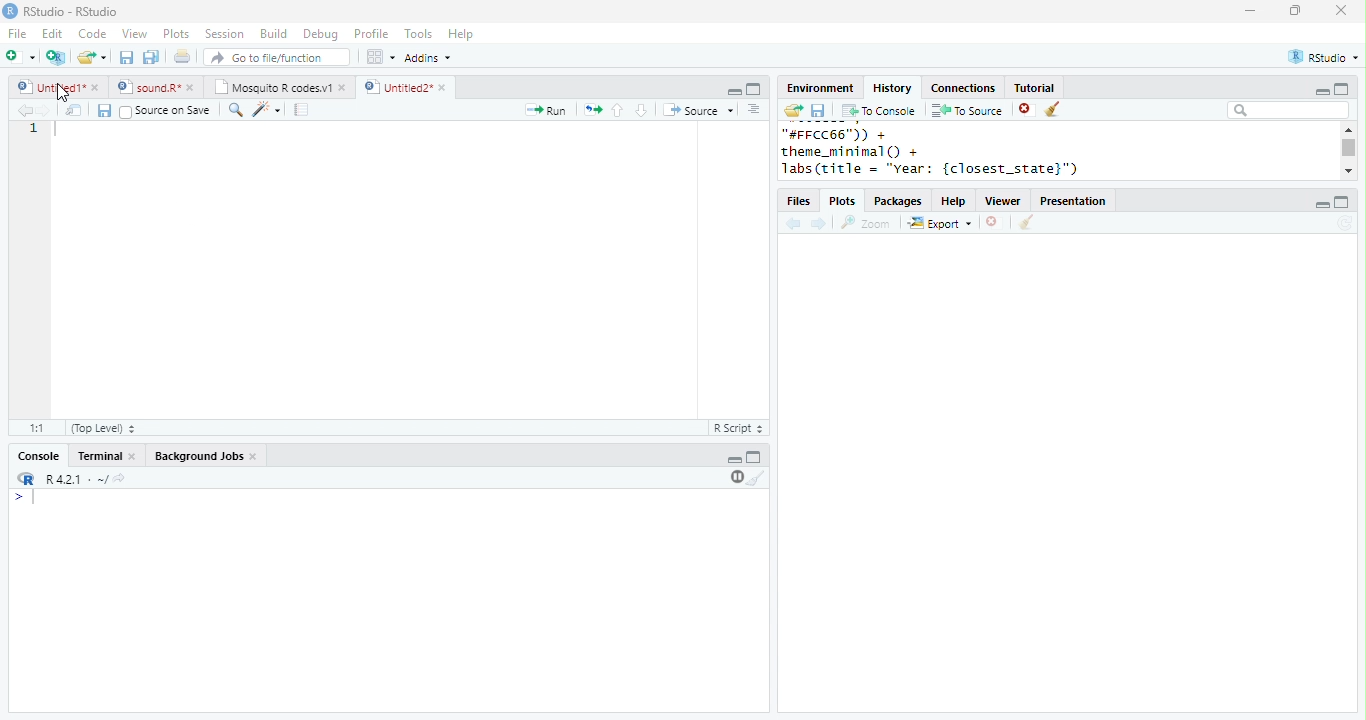  Describe the element at coordinates (618, 111) in the screenshot. I see `up` at that location.